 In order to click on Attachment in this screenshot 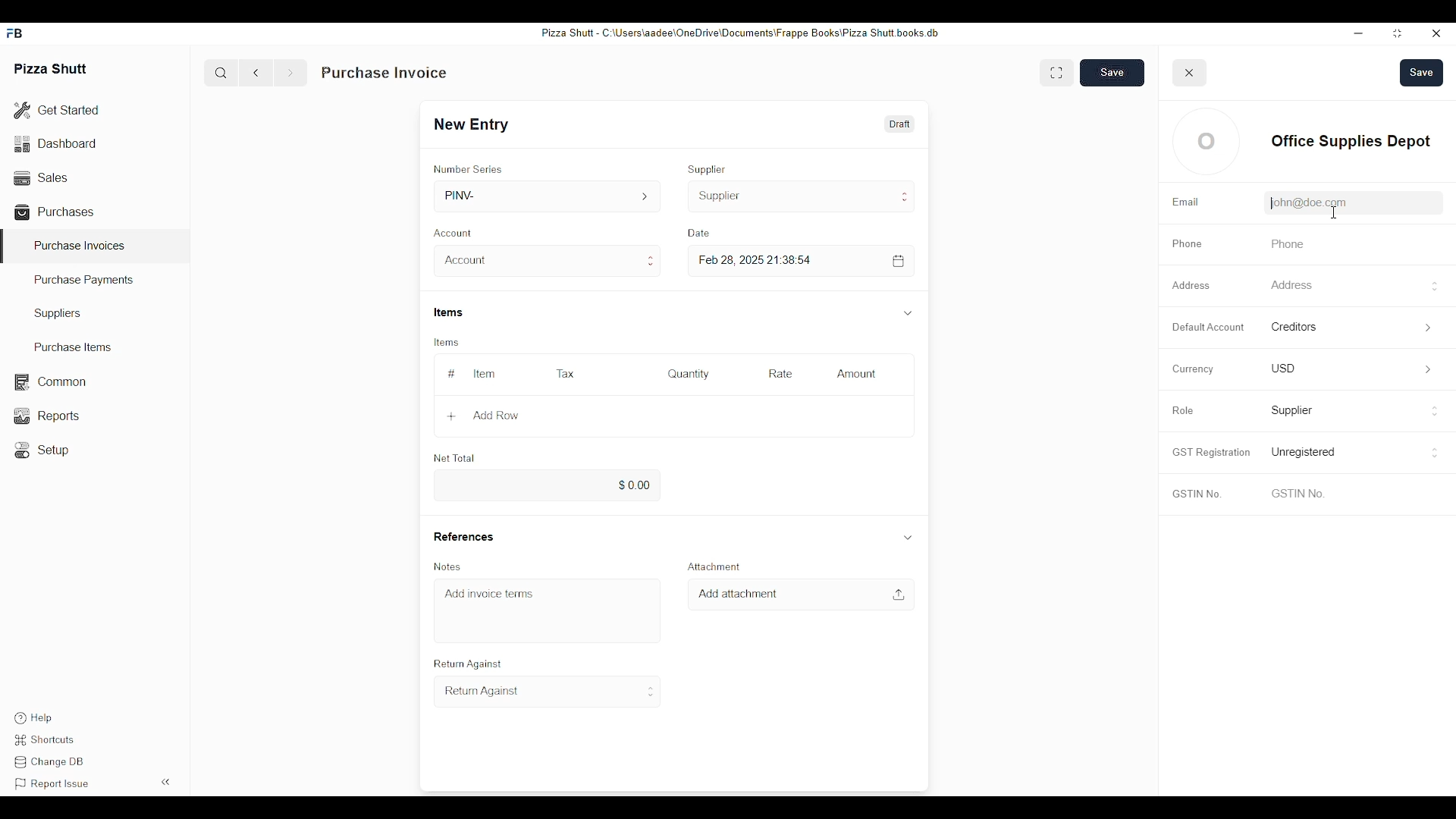, I will do `click(711, 566)`.